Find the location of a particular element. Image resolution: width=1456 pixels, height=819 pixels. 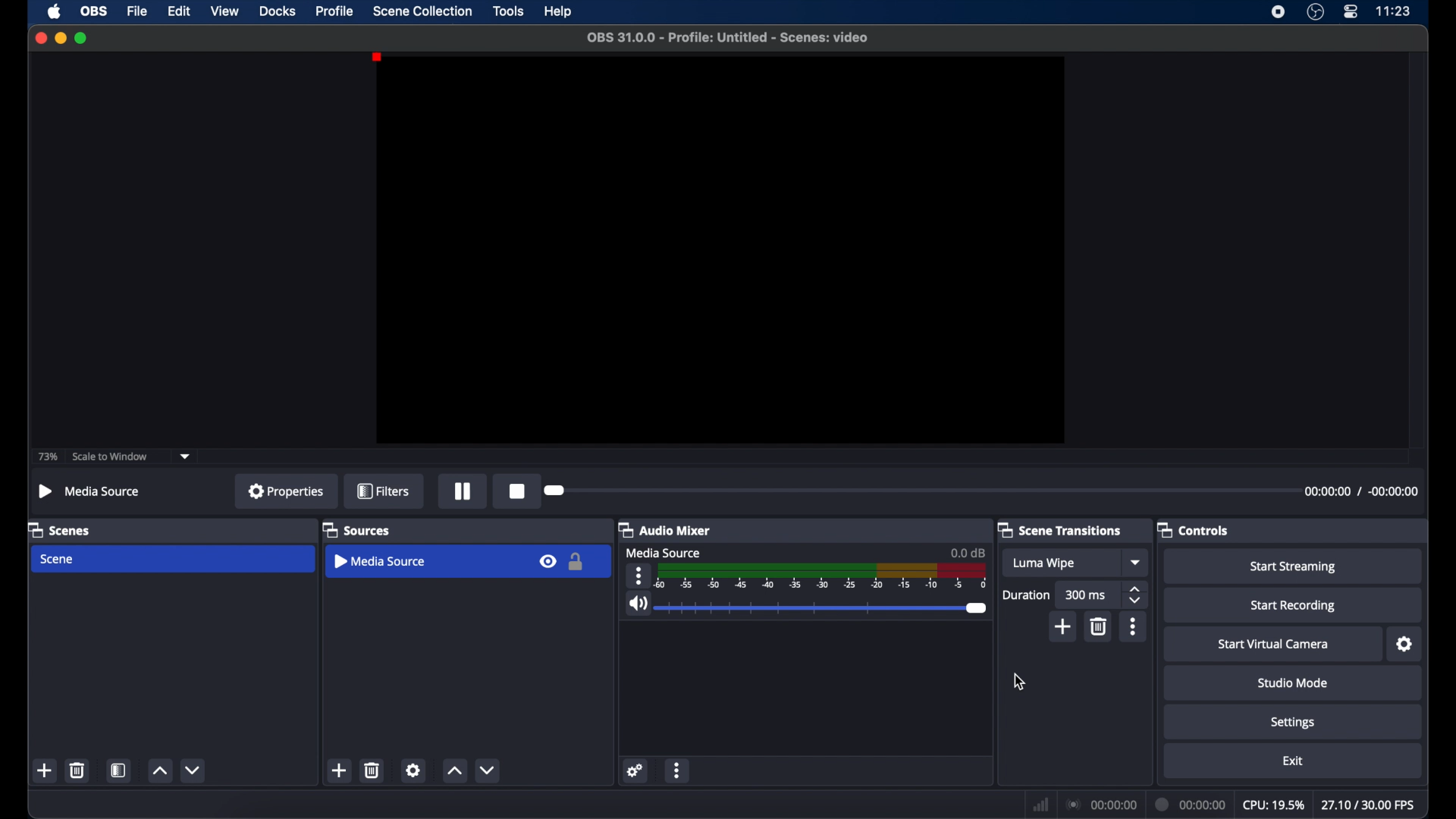

screen recorder icon is located at coordinates (1278, 12).